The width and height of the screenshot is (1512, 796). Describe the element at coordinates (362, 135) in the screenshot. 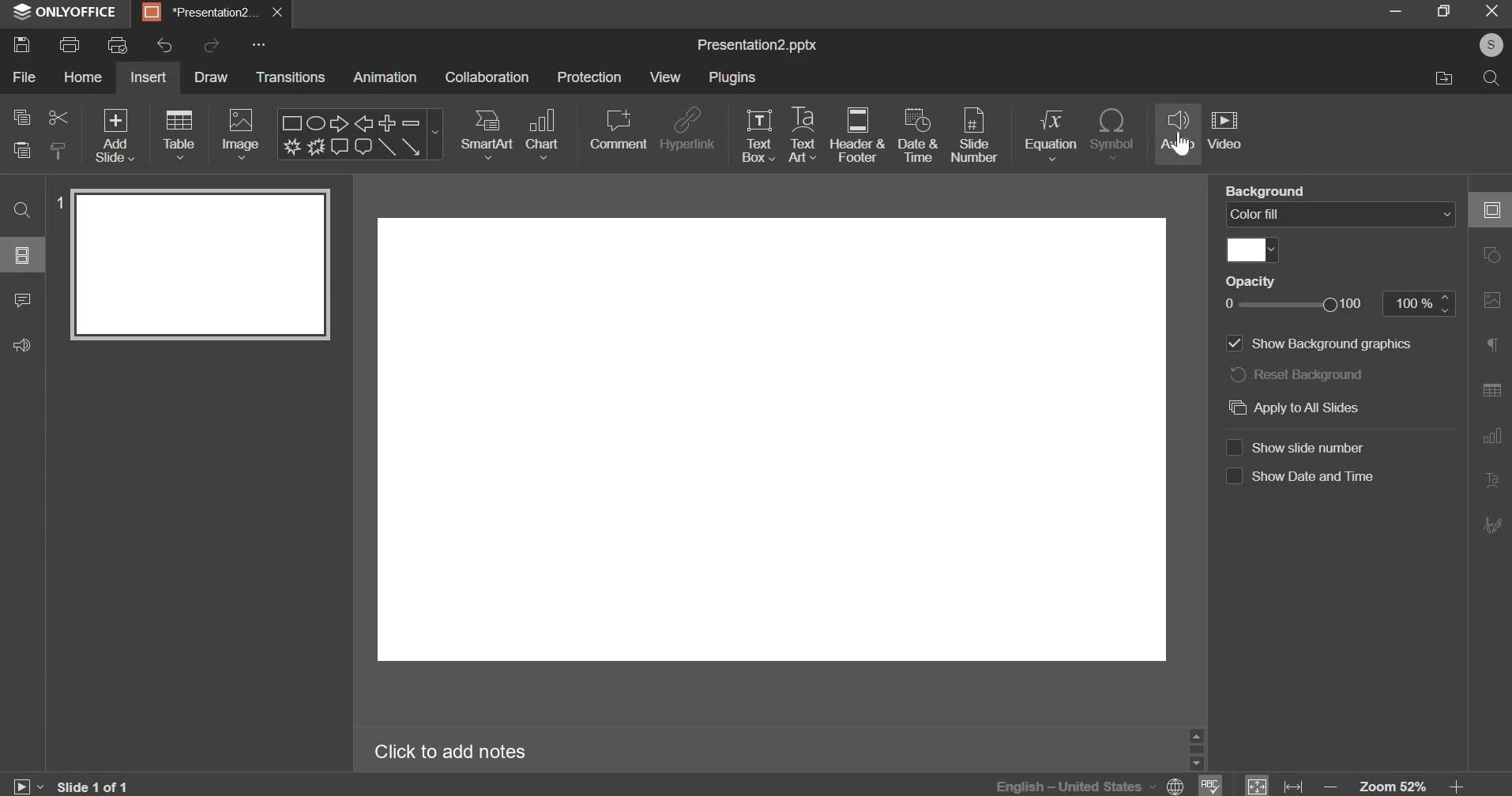

I see `shapes` at that location.